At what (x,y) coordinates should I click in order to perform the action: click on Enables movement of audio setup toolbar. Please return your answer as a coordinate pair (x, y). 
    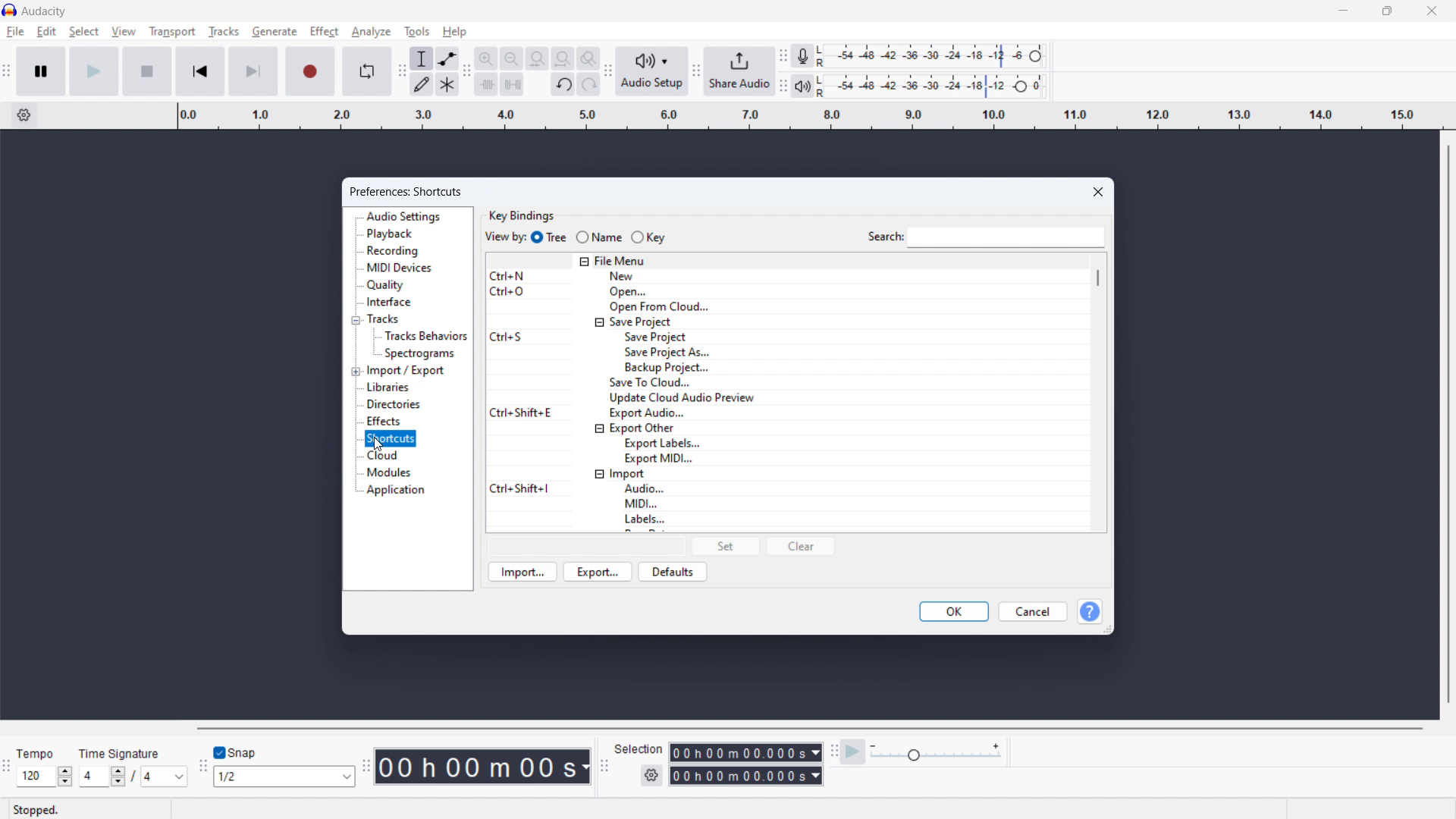
    Looking at the image, I should click on (608, 71).